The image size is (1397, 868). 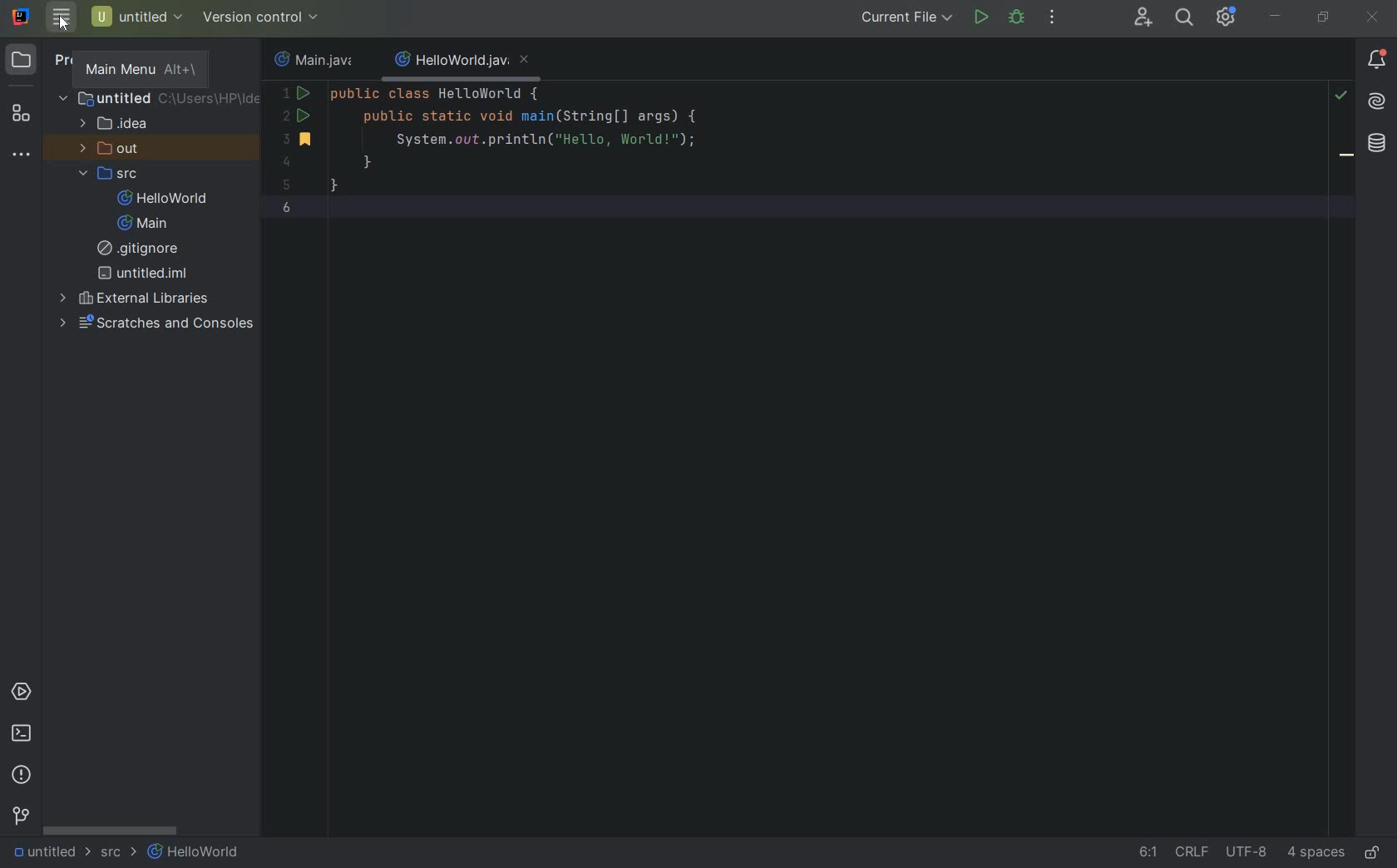 I want to click on SRC, so click(x=110, y=174).